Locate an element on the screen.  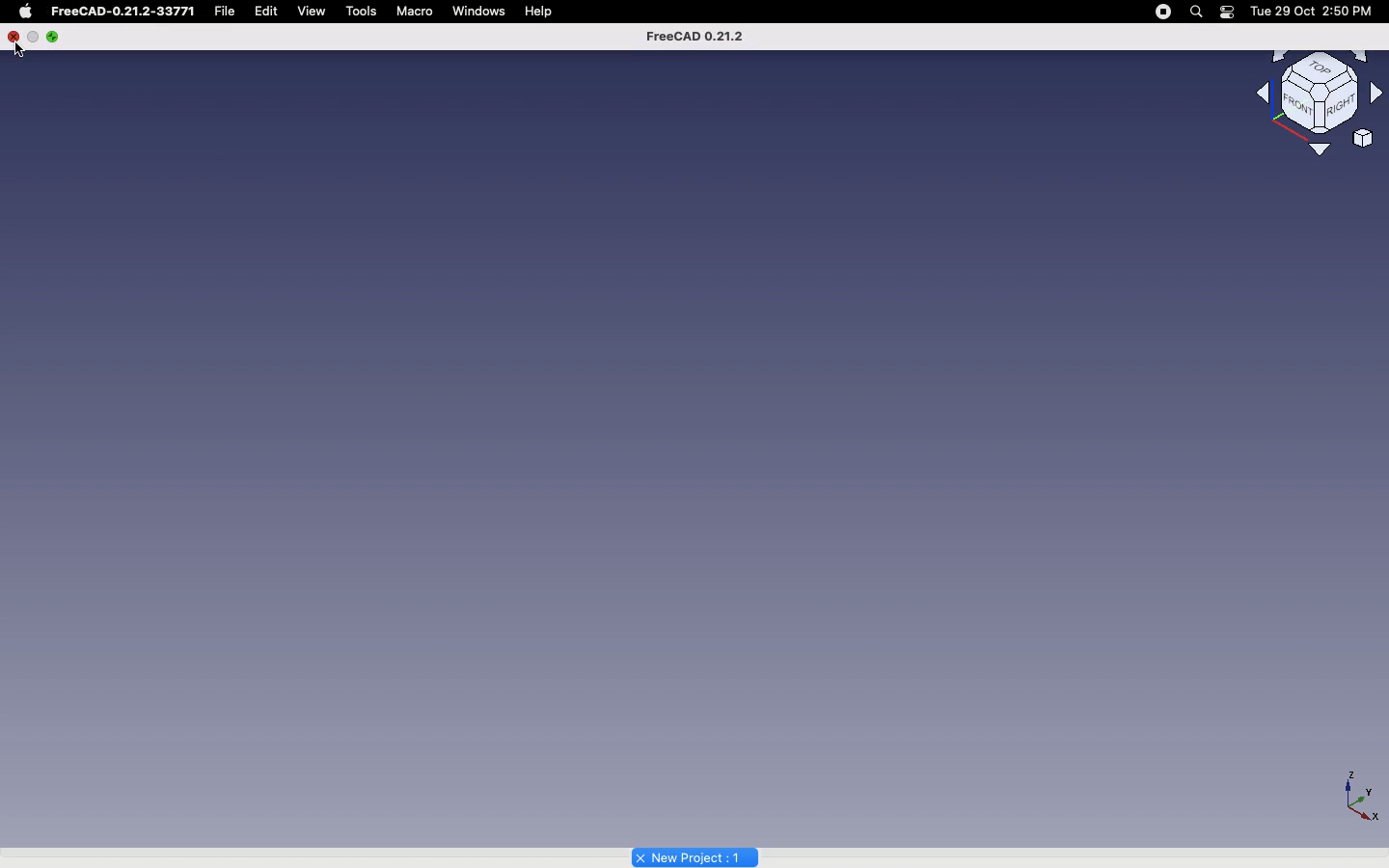
FreeCAD is located at coordinates (694, 36).